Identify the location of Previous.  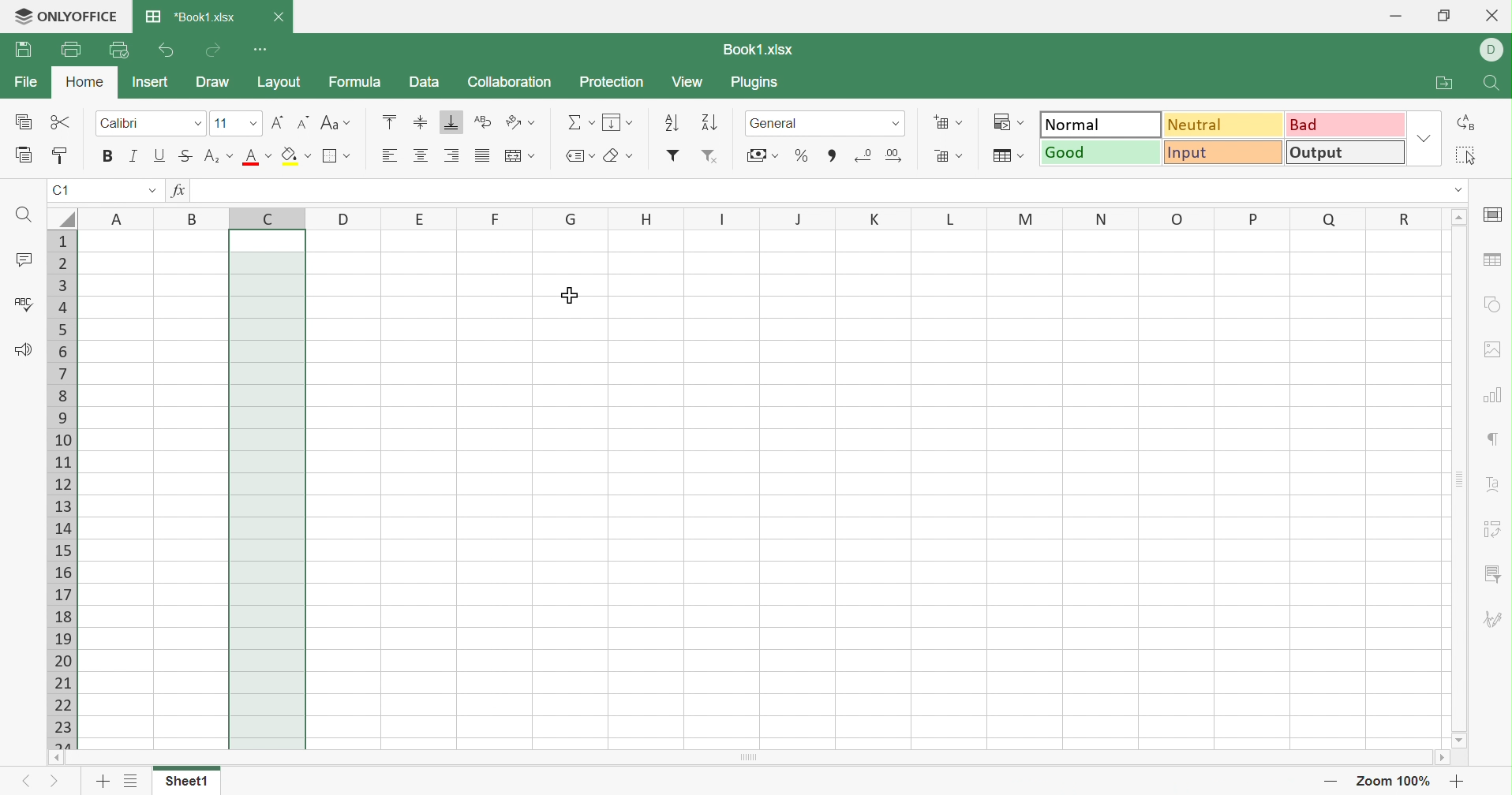
(29, 782).